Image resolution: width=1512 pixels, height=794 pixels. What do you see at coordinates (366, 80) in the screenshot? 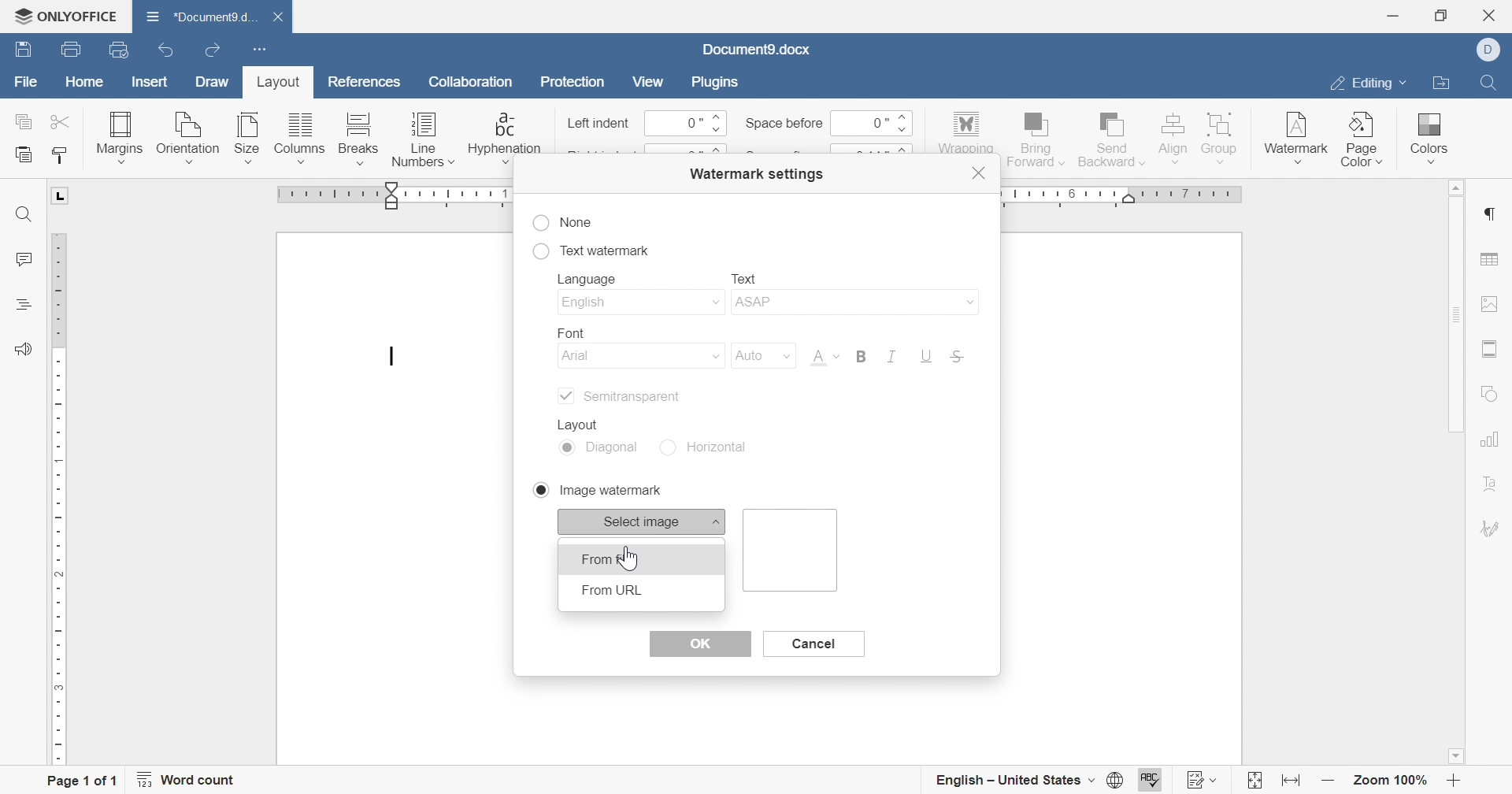
I see `references` at bounding box center [366, 80].